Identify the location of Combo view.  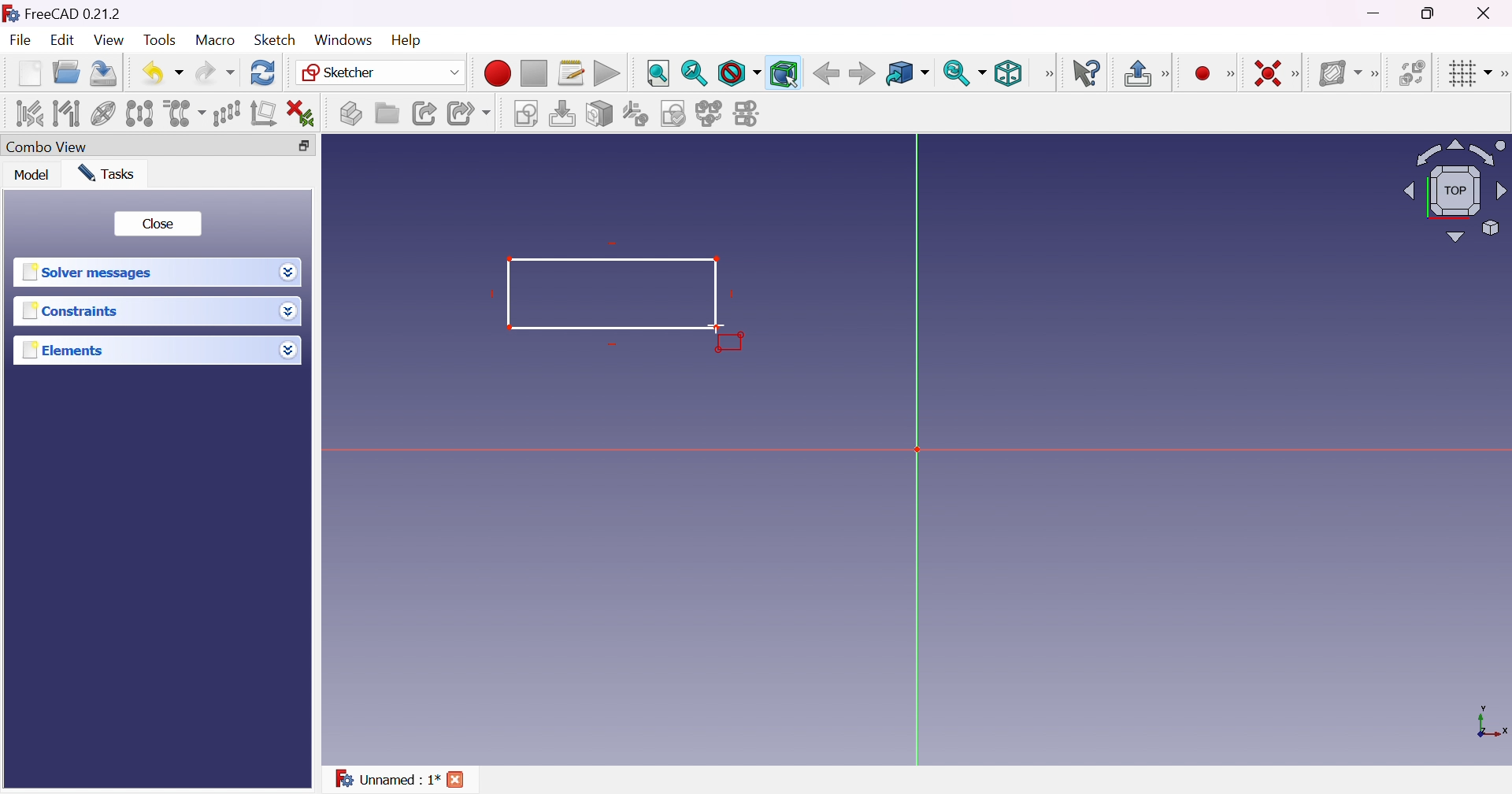
(47, 147).